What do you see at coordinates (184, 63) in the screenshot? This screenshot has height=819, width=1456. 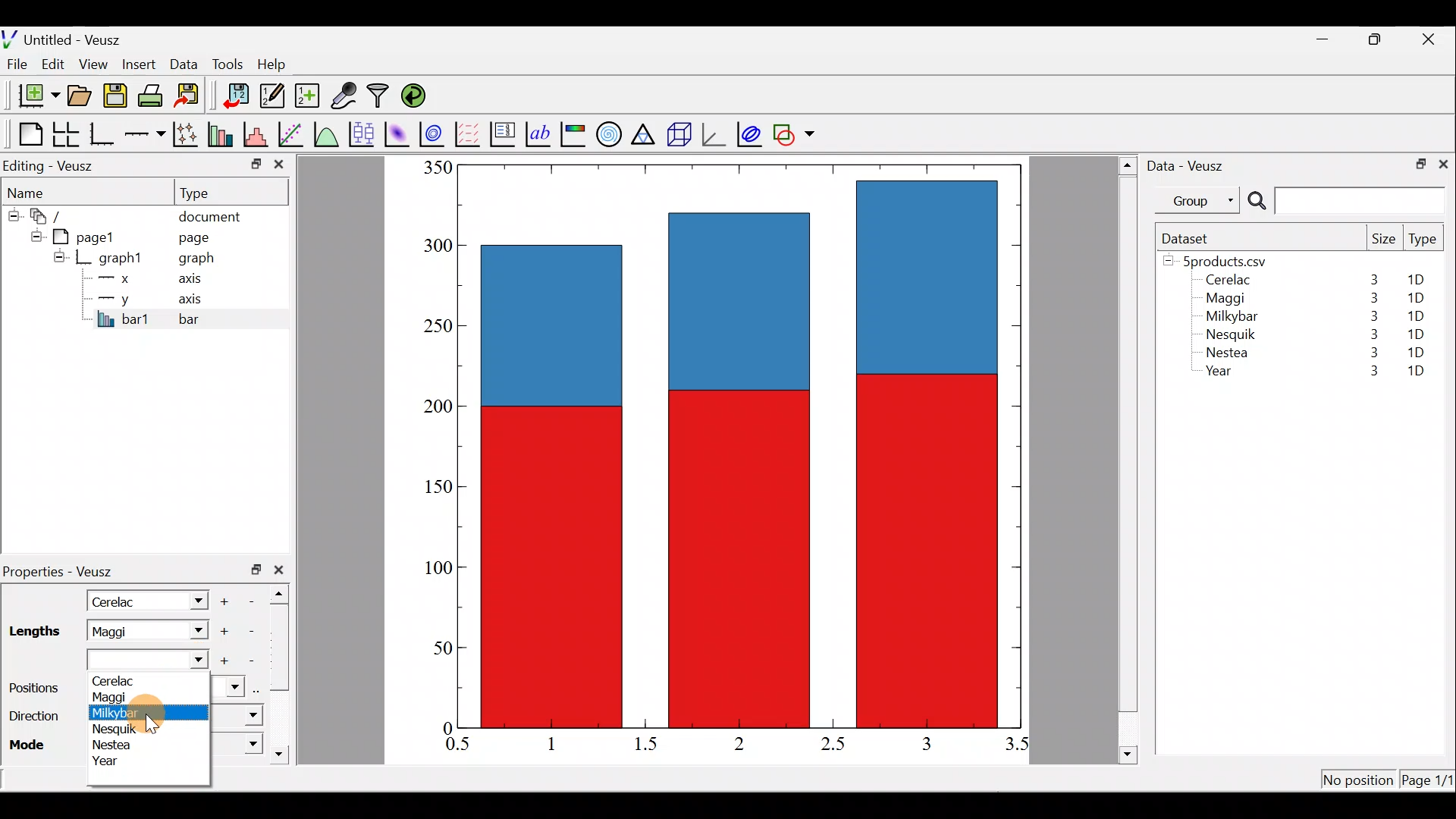 I see `Data` at bounding box center [184, 63].